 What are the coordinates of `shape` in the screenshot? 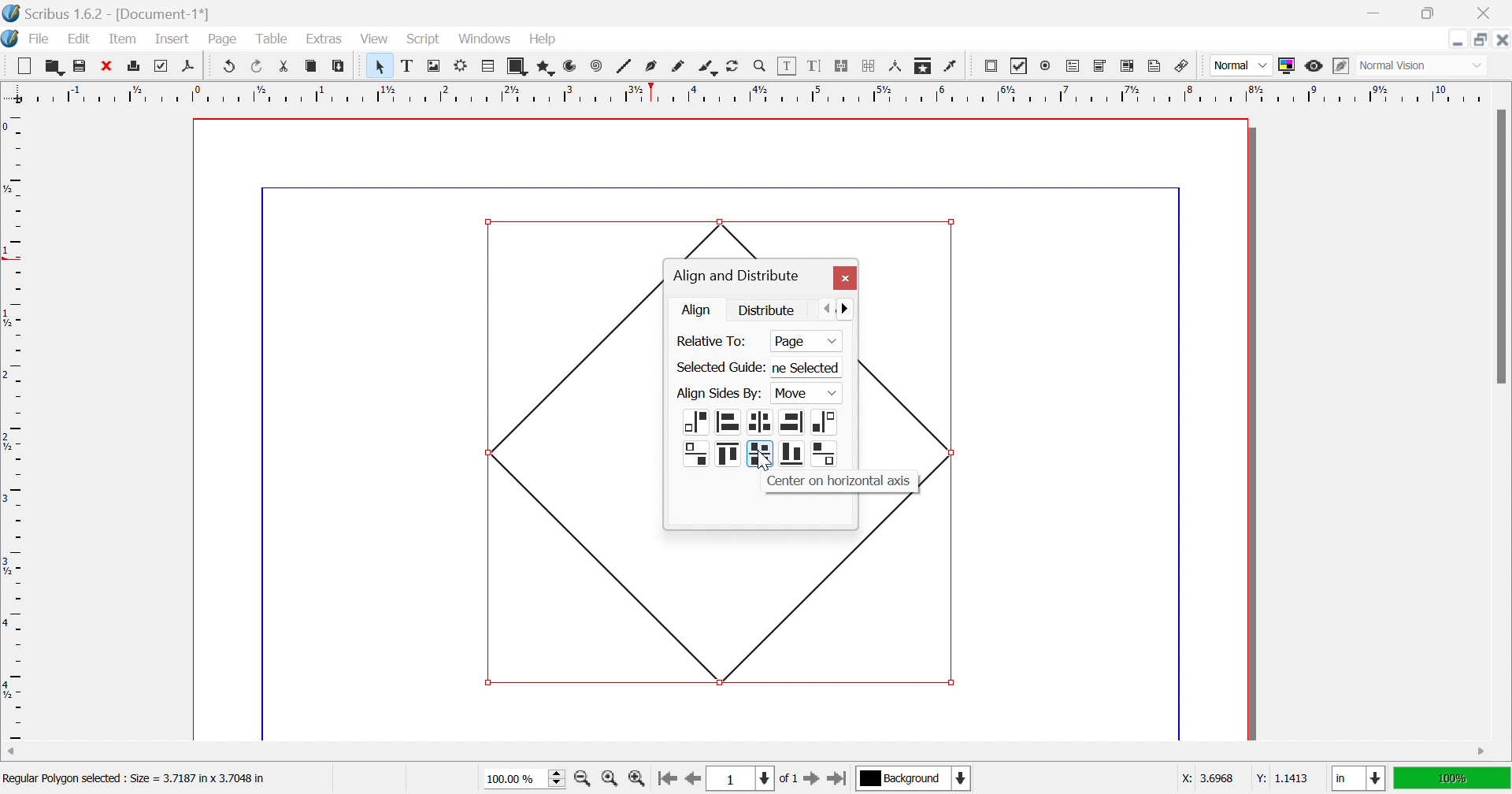 It's located at (815, 610).